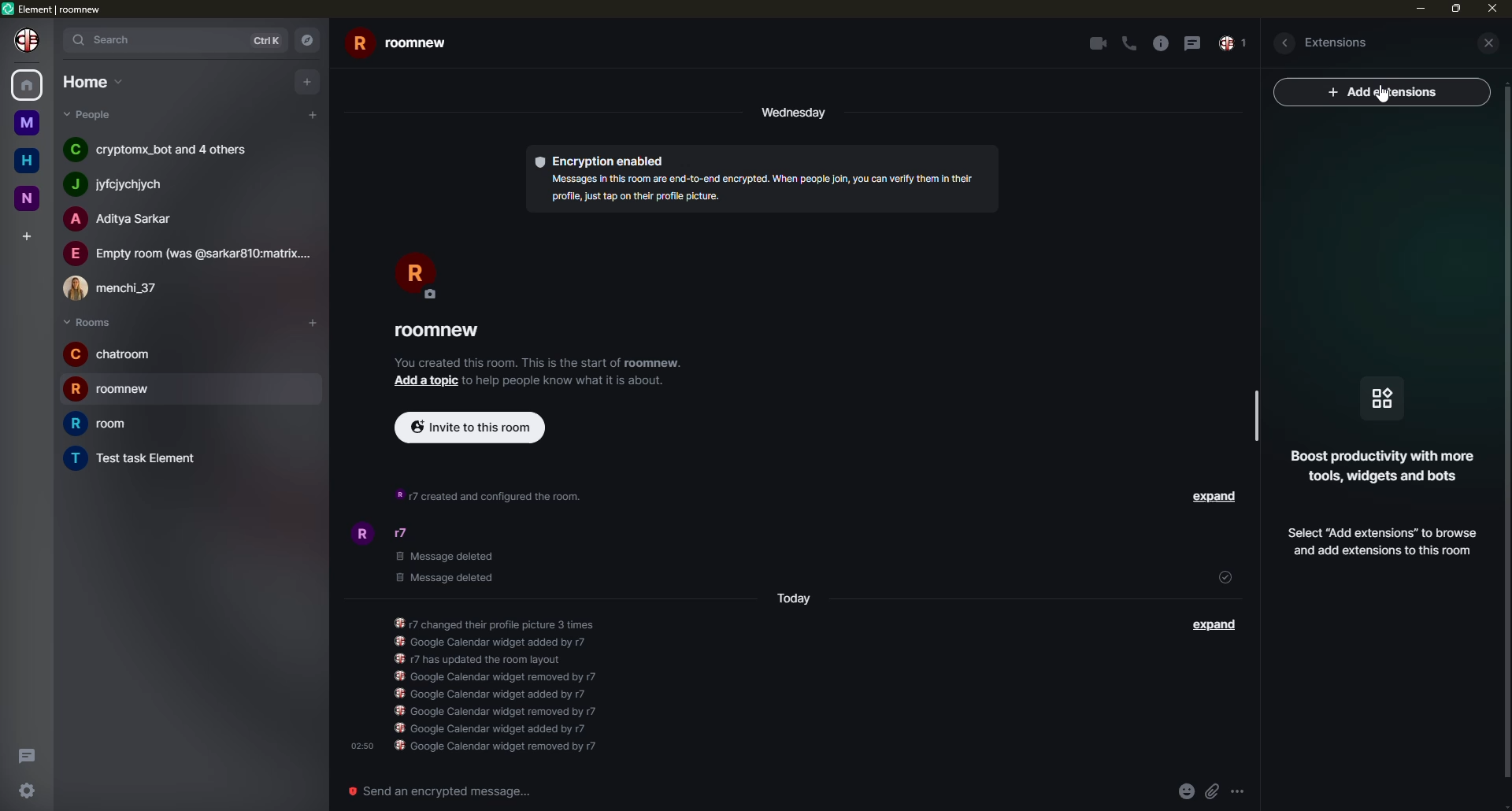 Image resolution: width=1512 pixels, height=811 pixels. What do you see at coordinates (567, 383) in the screenshot?
I see `info` at bounding box center [567, 383].